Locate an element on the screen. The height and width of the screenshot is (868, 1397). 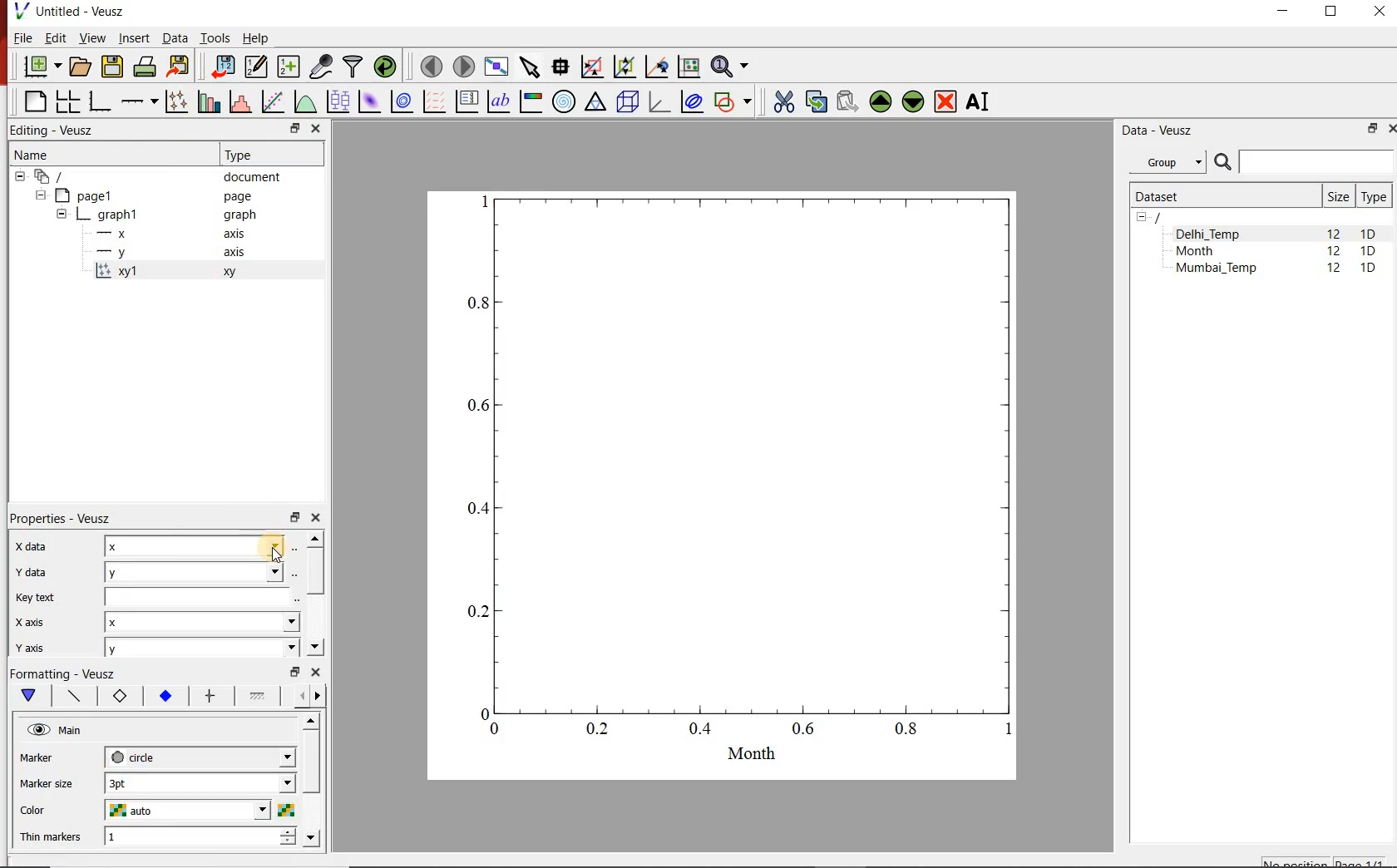
move to the previous page is located at coordinates (431, 66).